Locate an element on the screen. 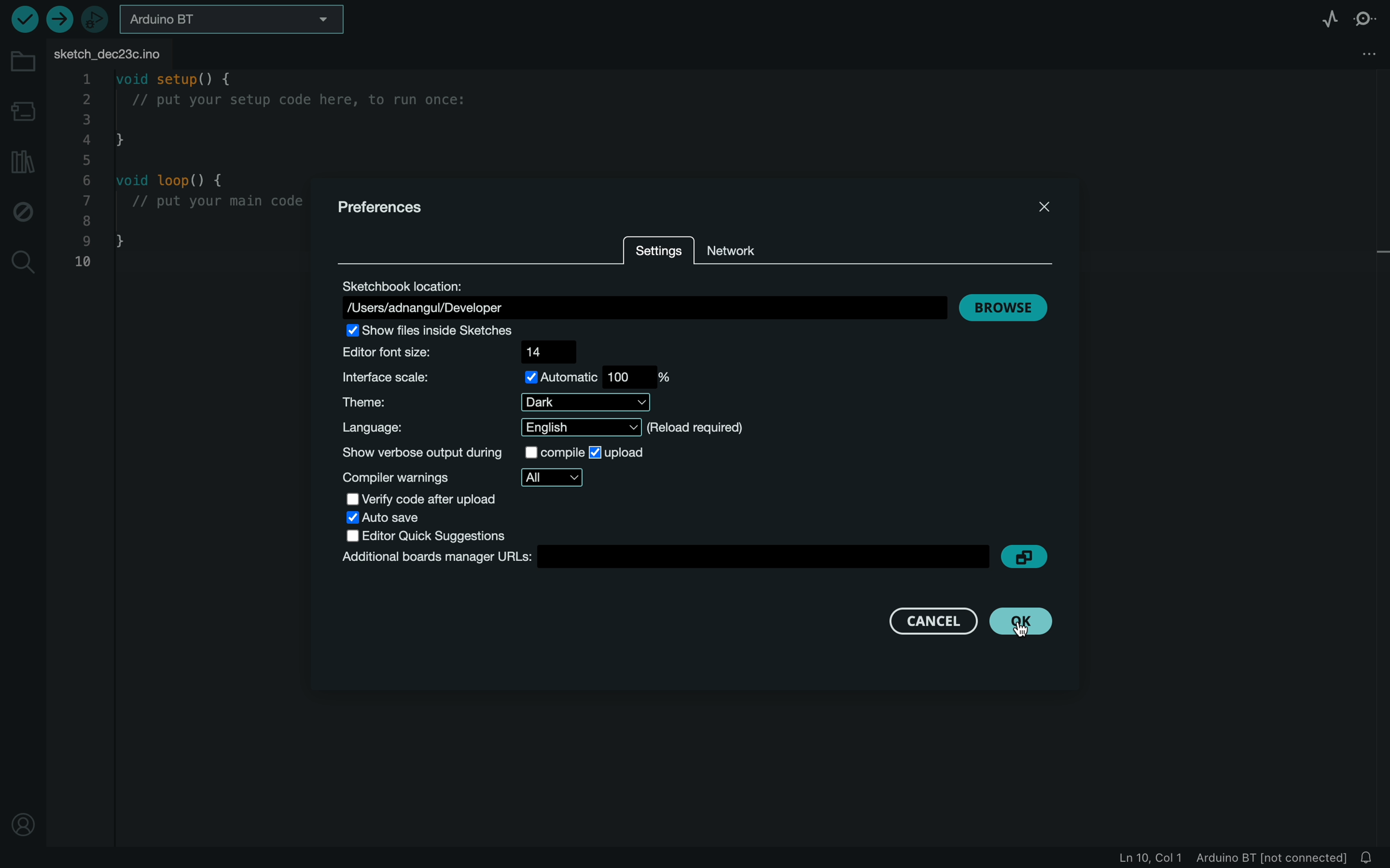  board manager is located at coordinates (656, 557).